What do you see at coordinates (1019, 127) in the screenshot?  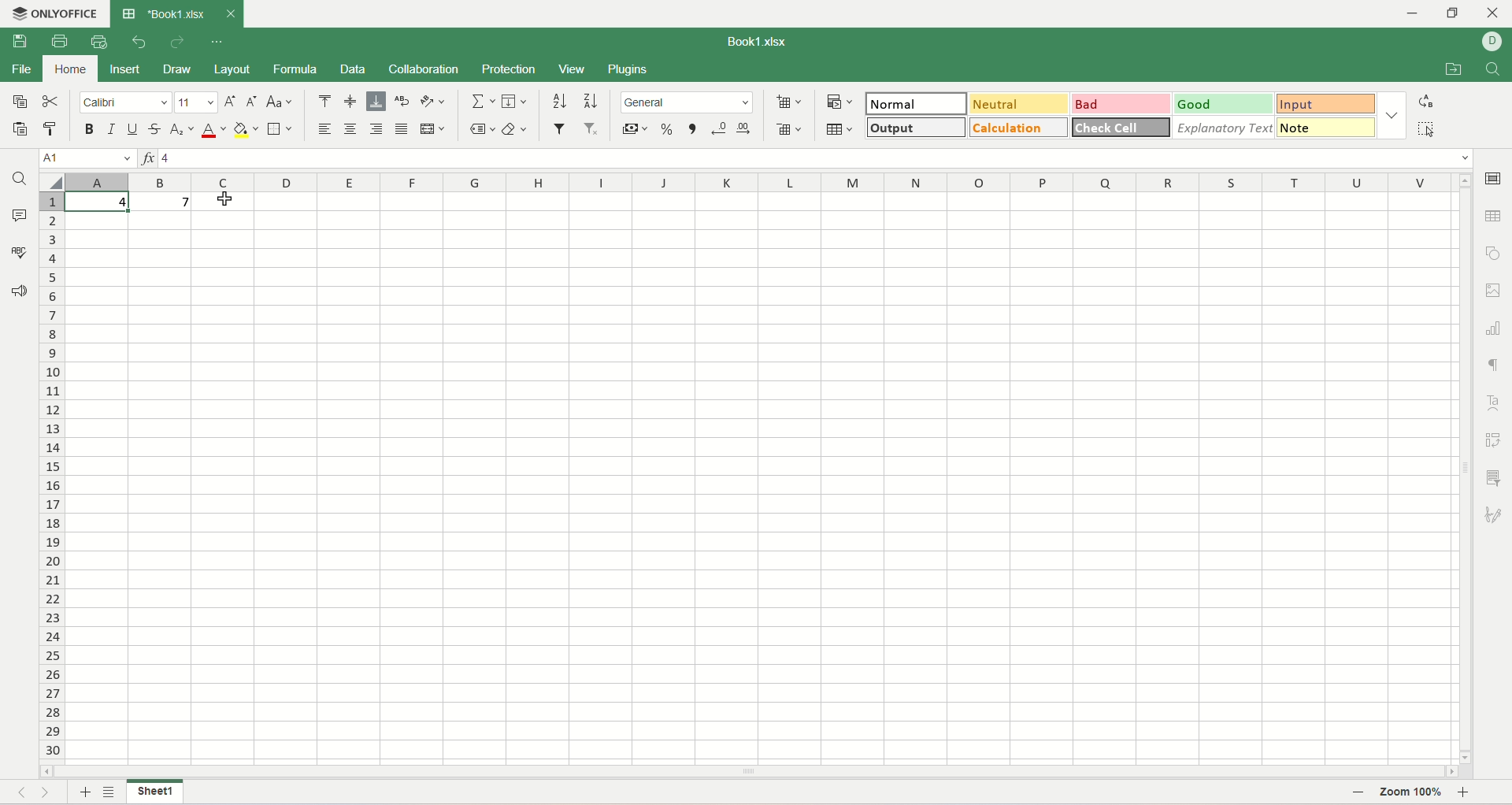 I see `calculation` at bounding box center [1019, 127].